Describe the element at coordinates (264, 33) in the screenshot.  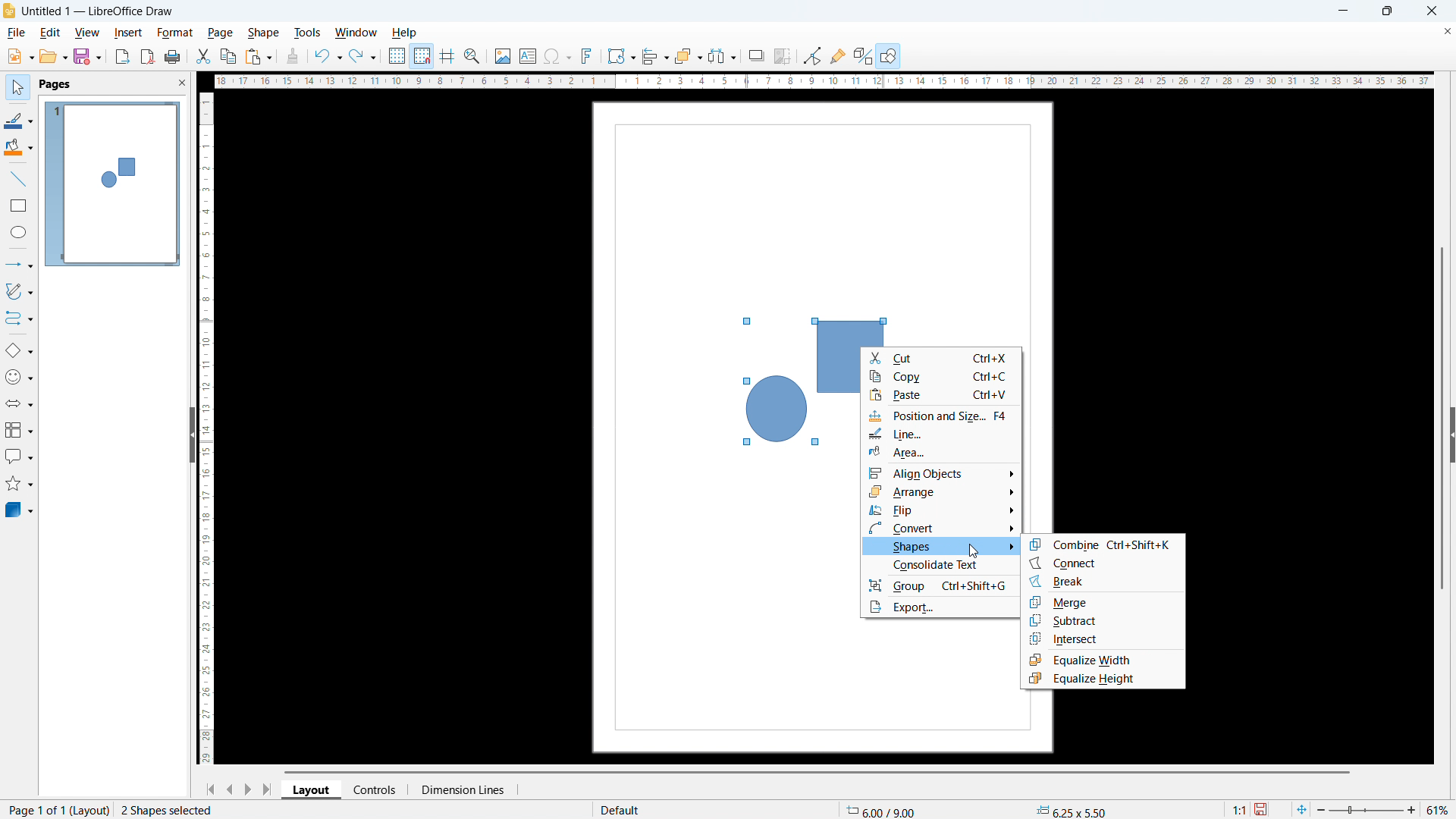
I see `shape` at that location.